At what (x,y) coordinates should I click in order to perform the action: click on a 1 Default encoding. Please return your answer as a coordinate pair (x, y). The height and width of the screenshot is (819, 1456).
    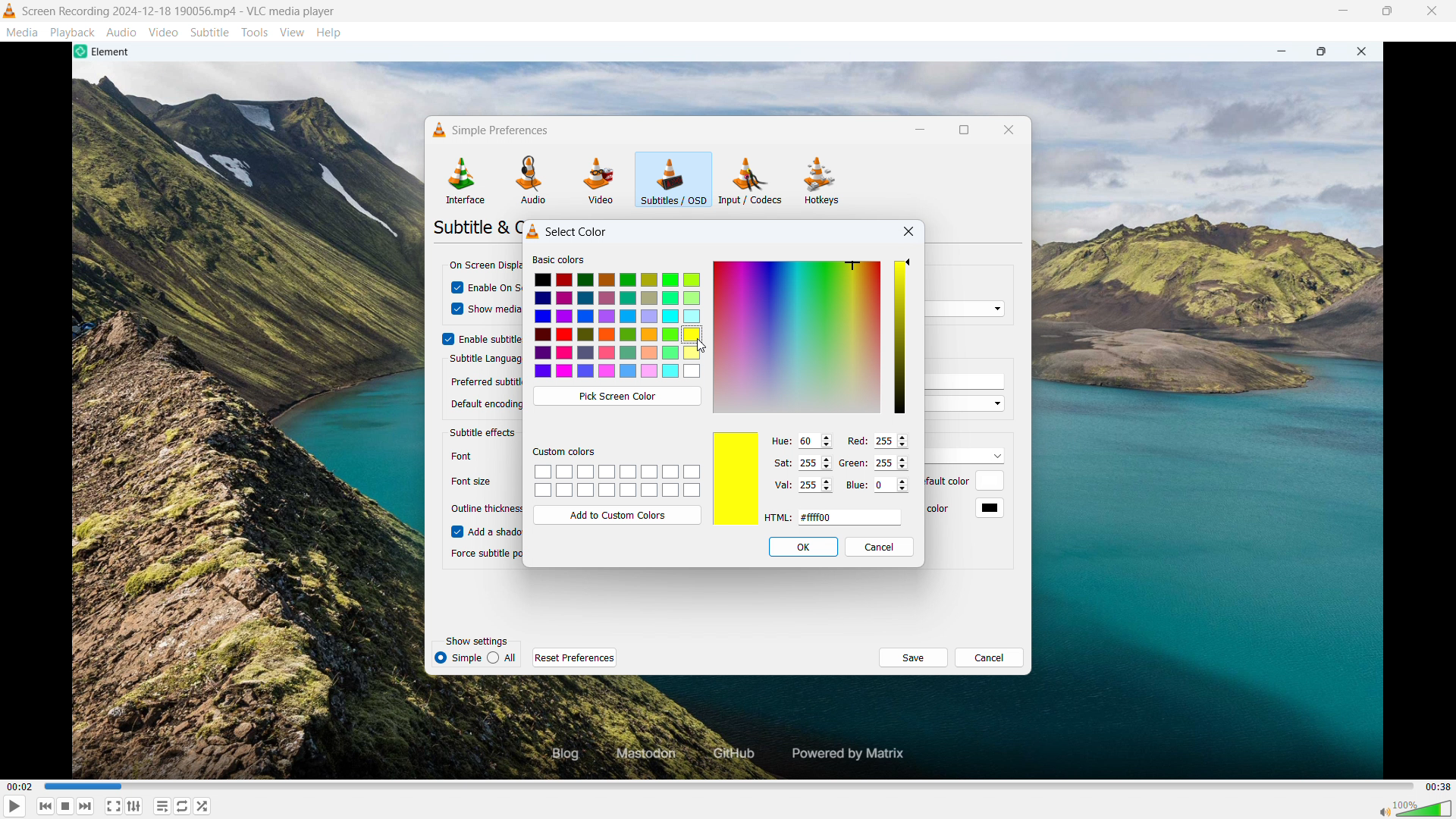
    Looking at the image, I should click on (483, 405).